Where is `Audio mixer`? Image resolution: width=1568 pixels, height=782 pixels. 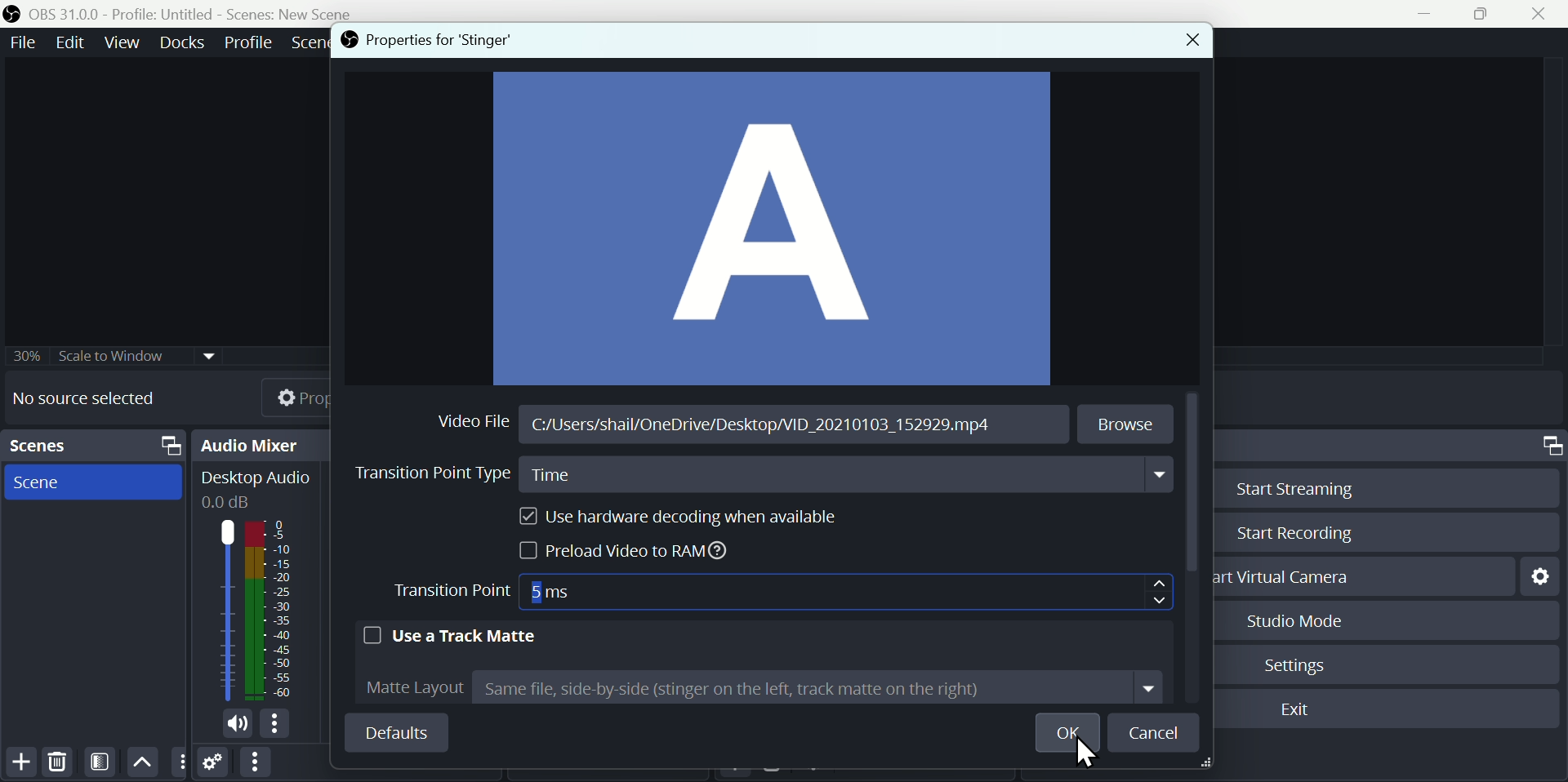
Audio mixer is located at coordinates (265, 444).